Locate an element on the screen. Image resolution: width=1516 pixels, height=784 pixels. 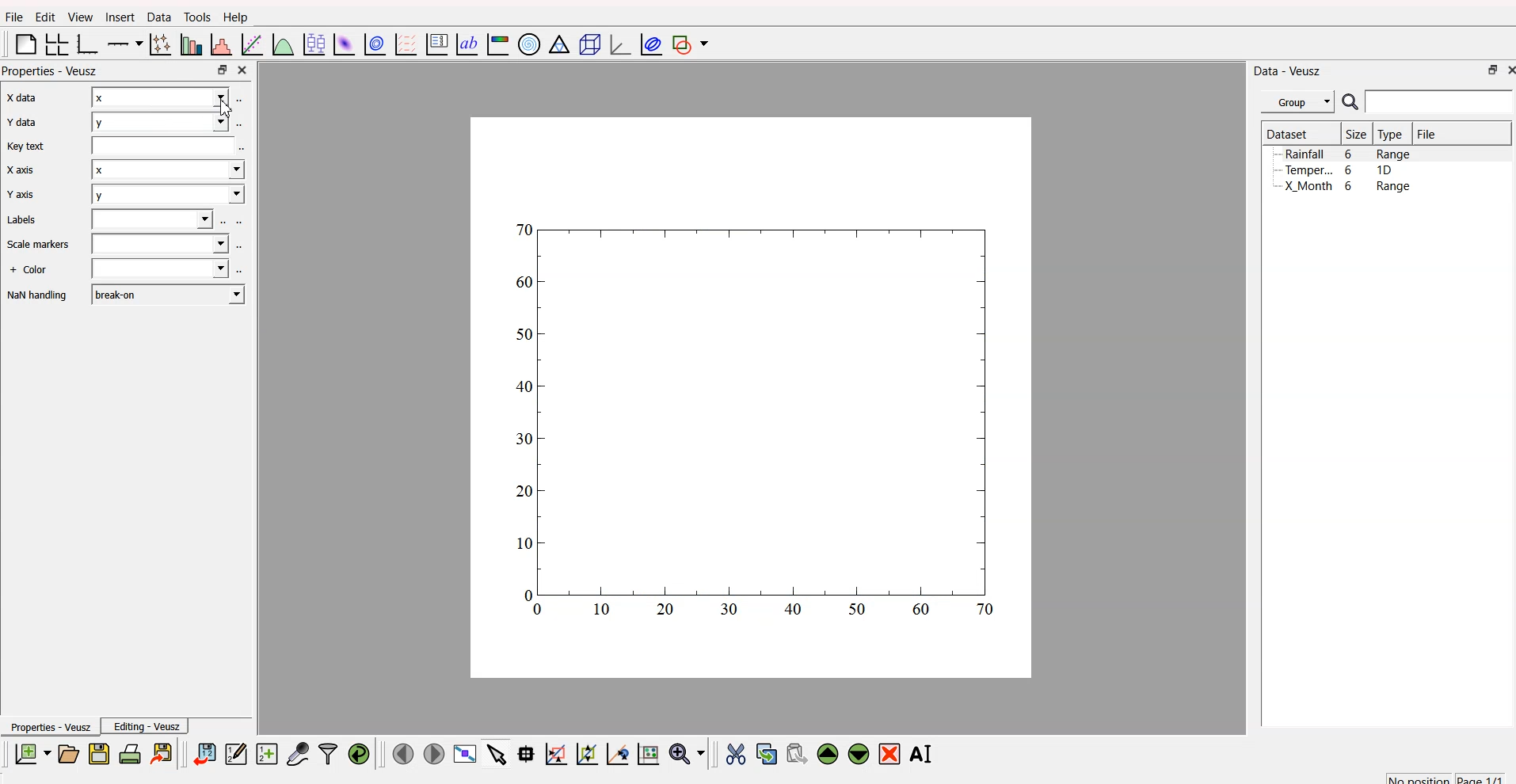
Editing - Veusz | is located at coordinates (148, 726).